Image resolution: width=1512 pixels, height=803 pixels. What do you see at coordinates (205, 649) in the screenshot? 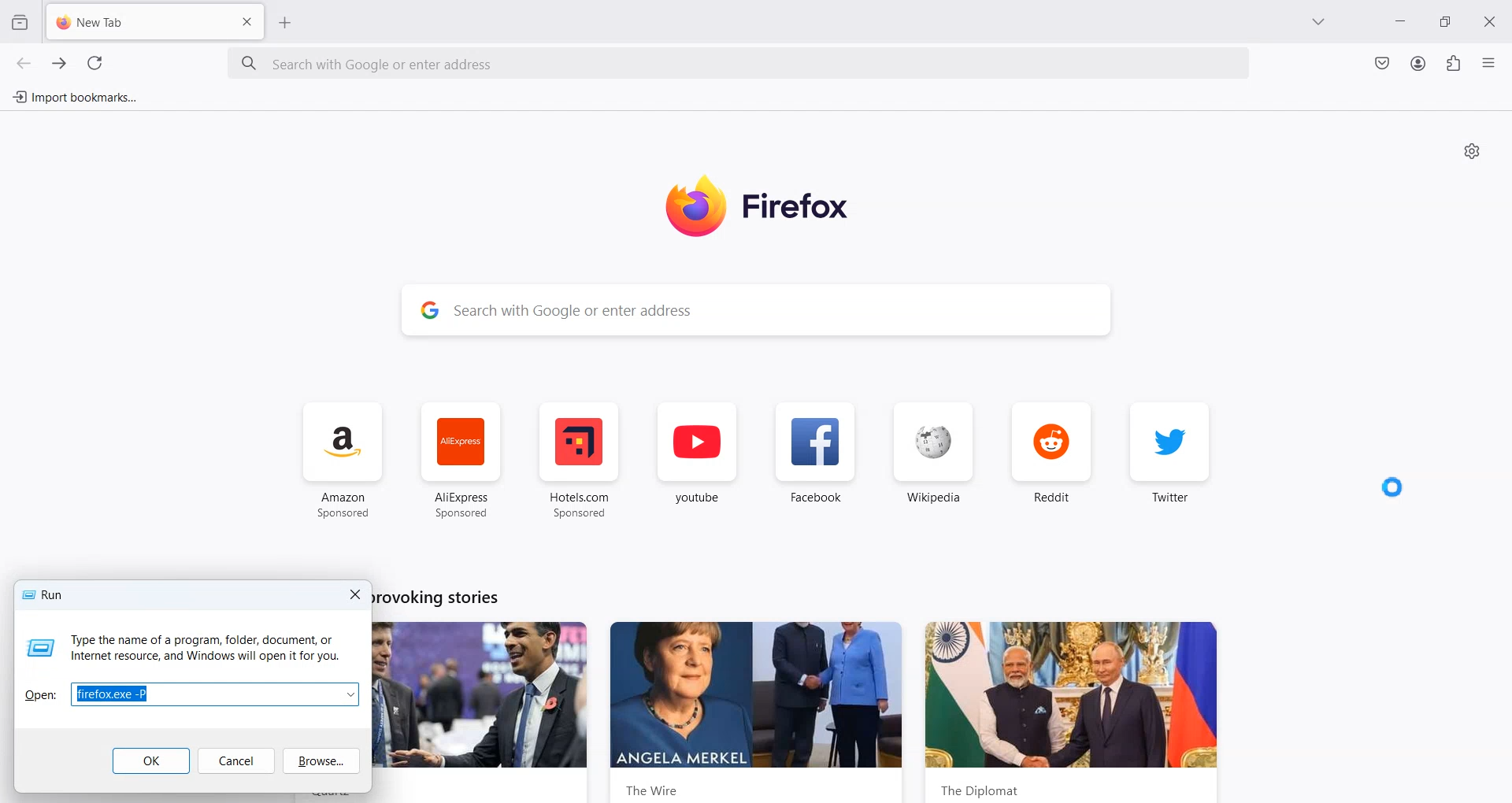
I see `Type the name of a program, folder, document, or
Internet resource, and Windows will open it for you.` at bounding box center [205, 649].